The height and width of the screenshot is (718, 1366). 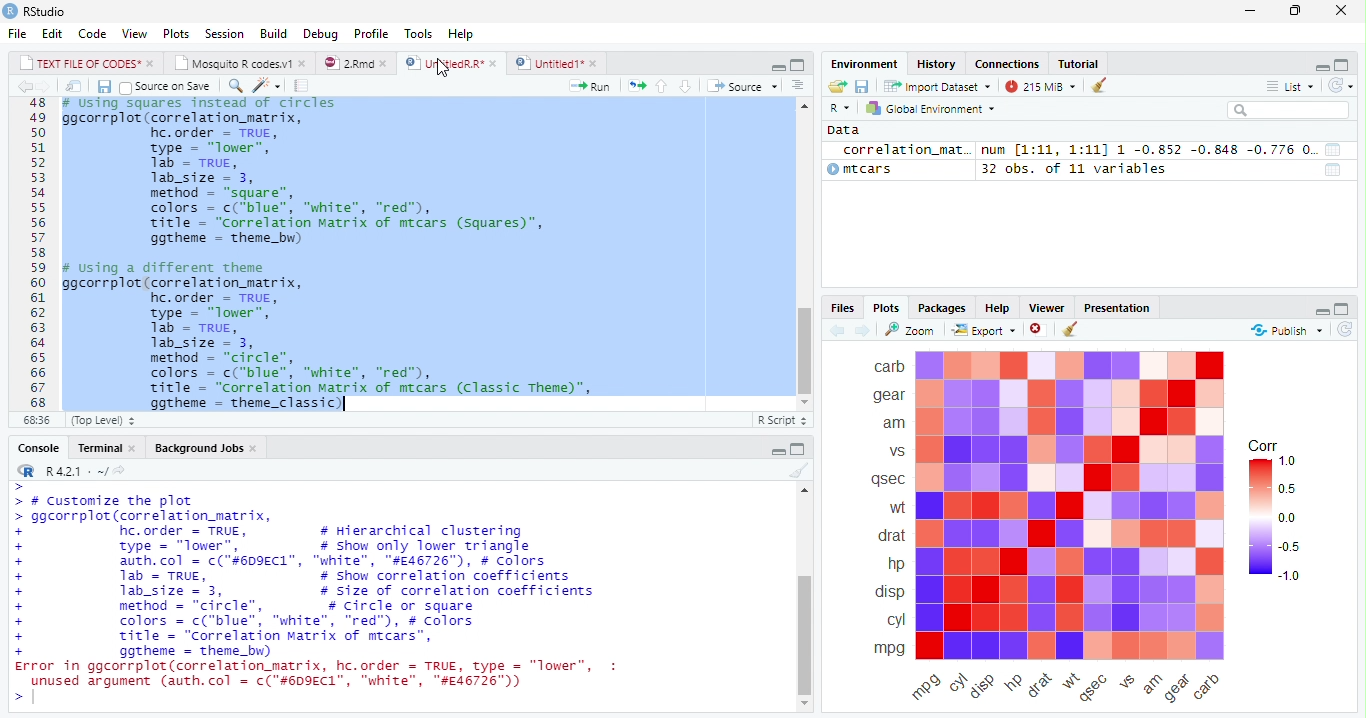 I want to click on 2rmd, so click(x=356, y=62).